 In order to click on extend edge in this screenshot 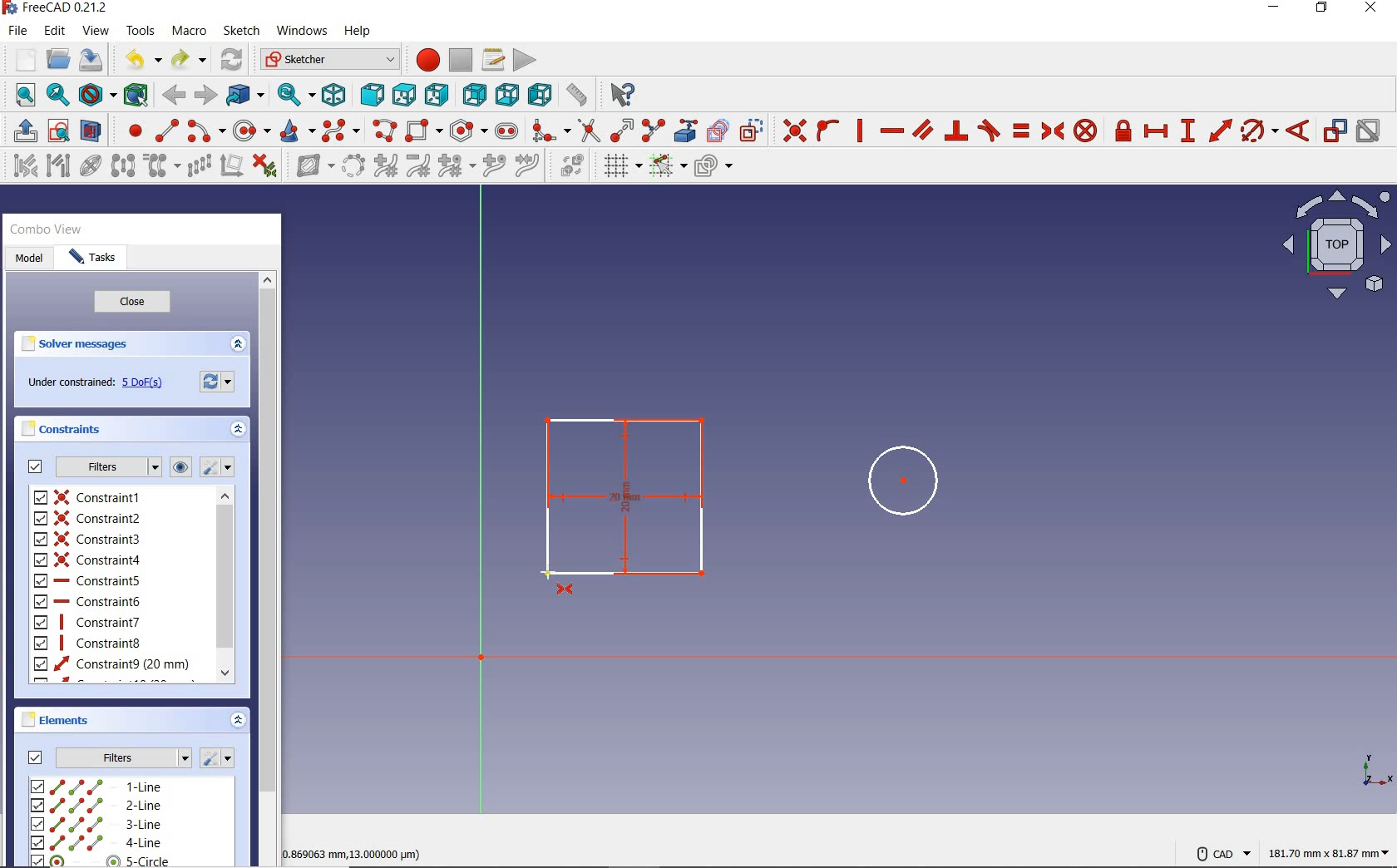, I will do `click(621, 129)`.